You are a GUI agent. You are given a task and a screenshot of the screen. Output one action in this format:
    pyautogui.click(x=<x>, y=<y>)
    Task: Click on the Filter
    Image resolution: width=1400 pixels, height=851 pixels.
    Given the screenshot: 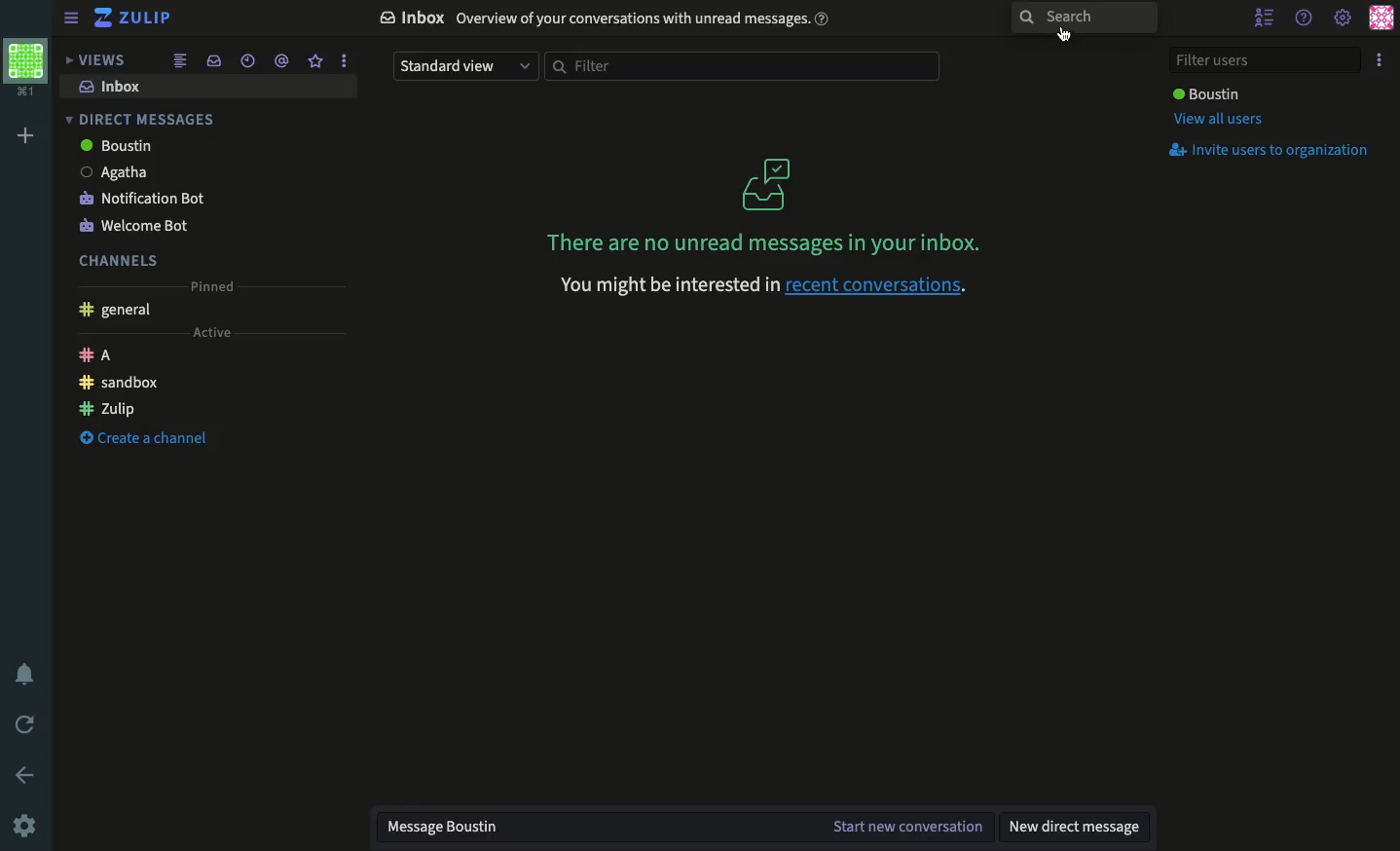 What is the action you would take?
    pyautogui.click(x=742, y=67)
    